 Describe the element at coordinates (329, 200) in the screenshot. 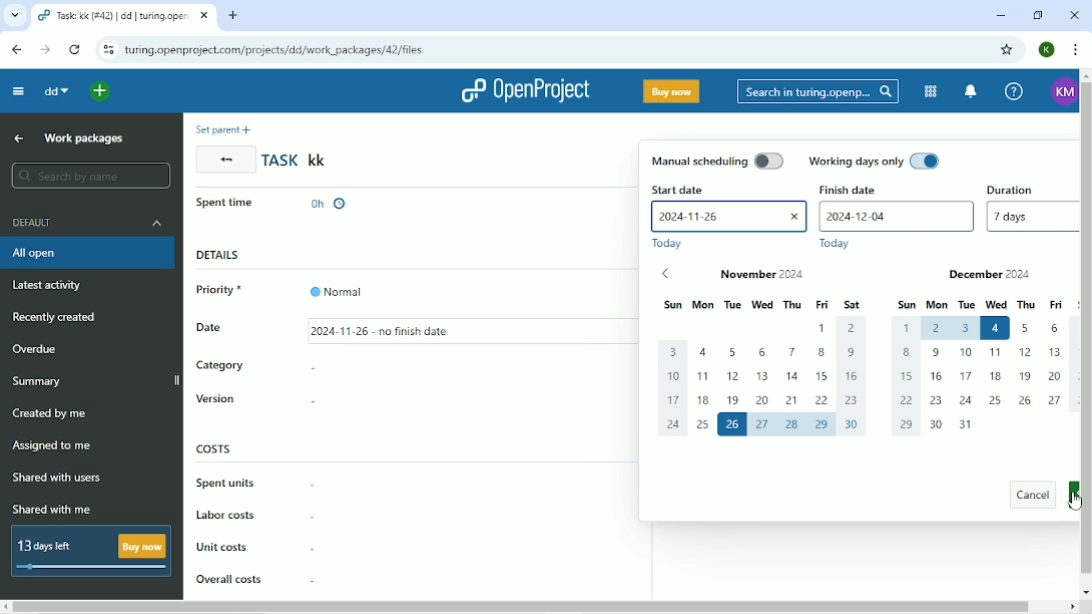

I see `0h` at that location.